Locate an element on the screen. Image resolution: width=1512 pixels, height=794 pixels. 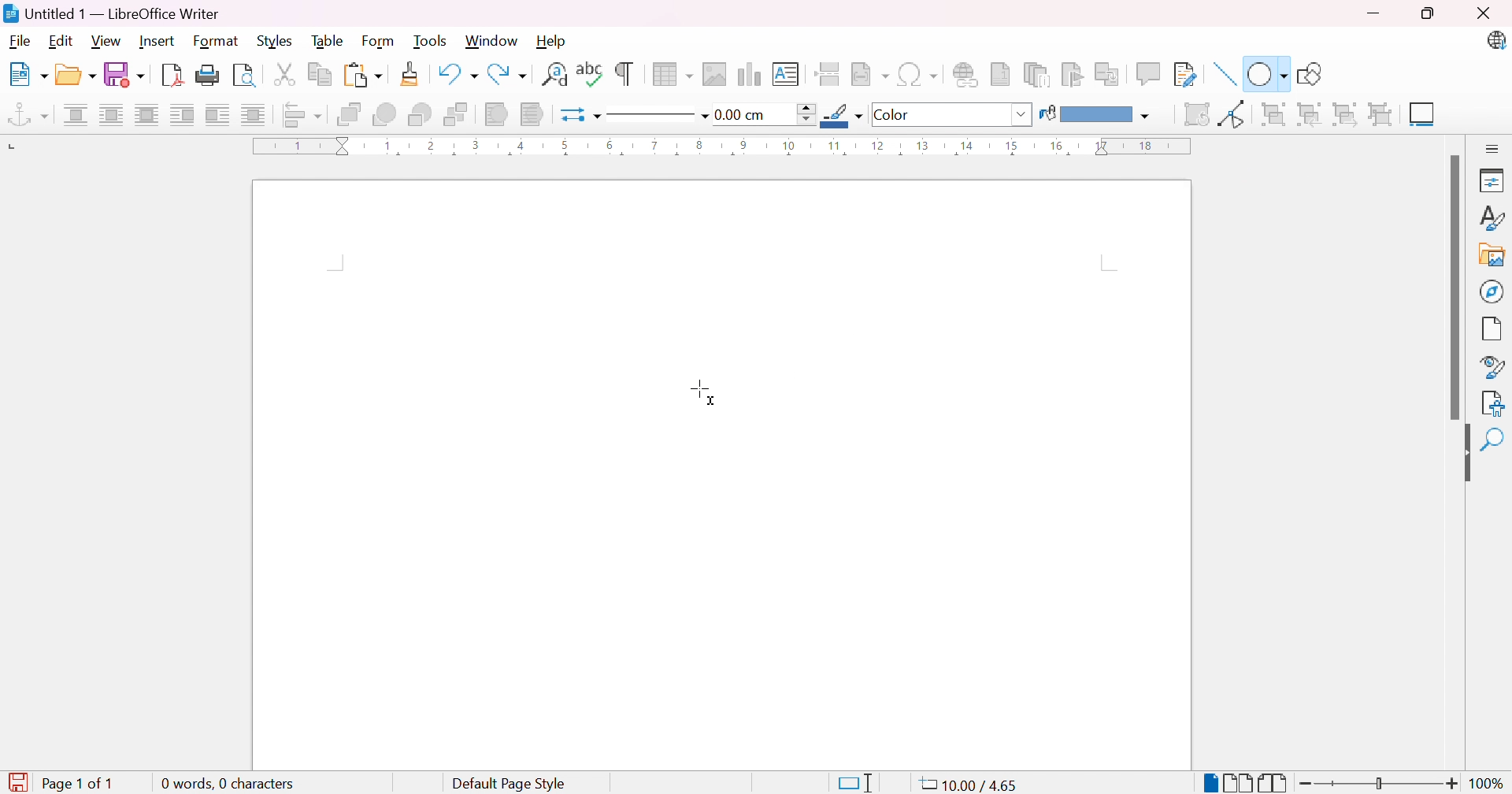
Cursor is located at coordinates (704, 389).